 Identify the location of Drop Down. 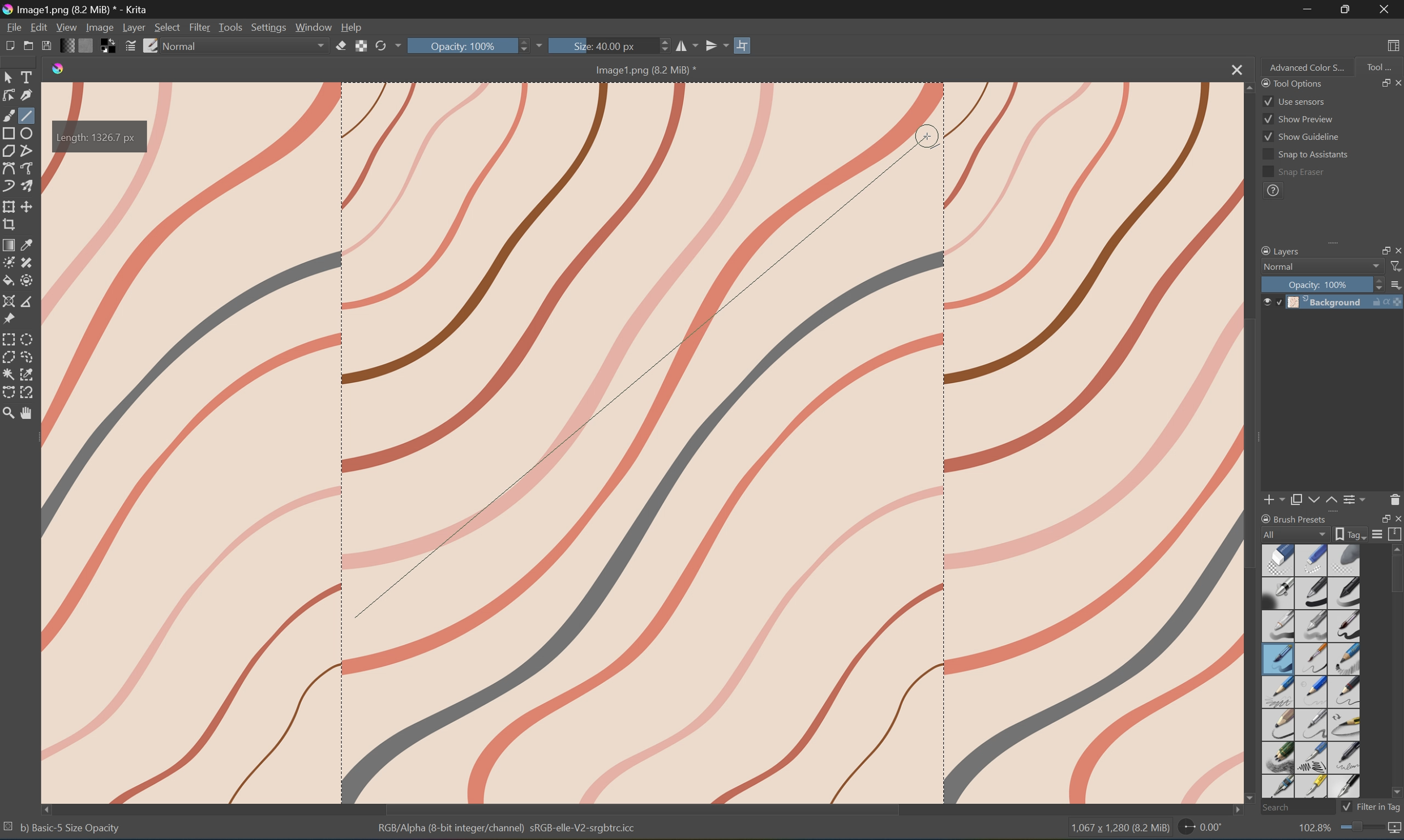
(322, 46).